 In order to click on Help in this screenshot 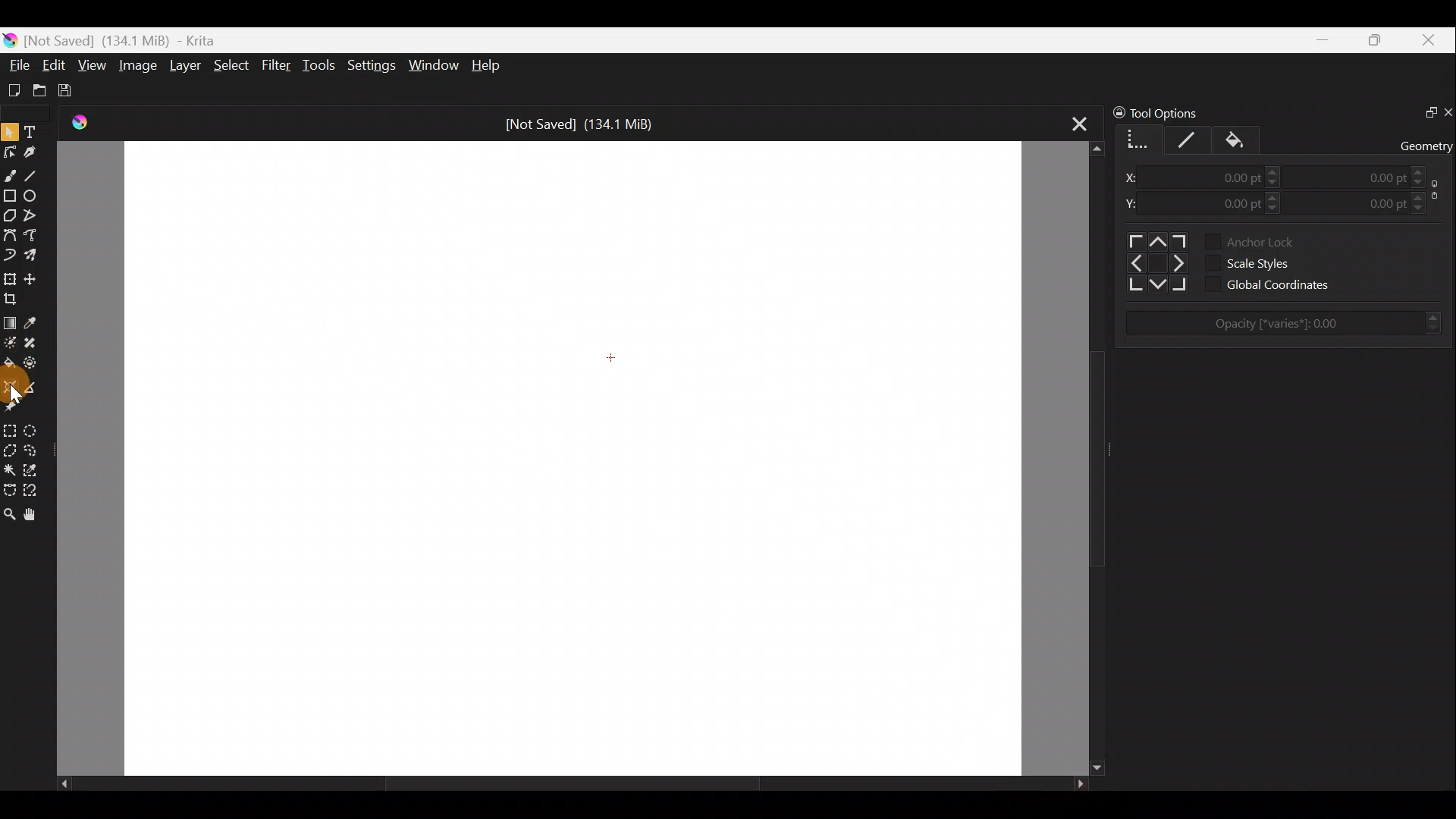, I will do `click(487, 66)`.